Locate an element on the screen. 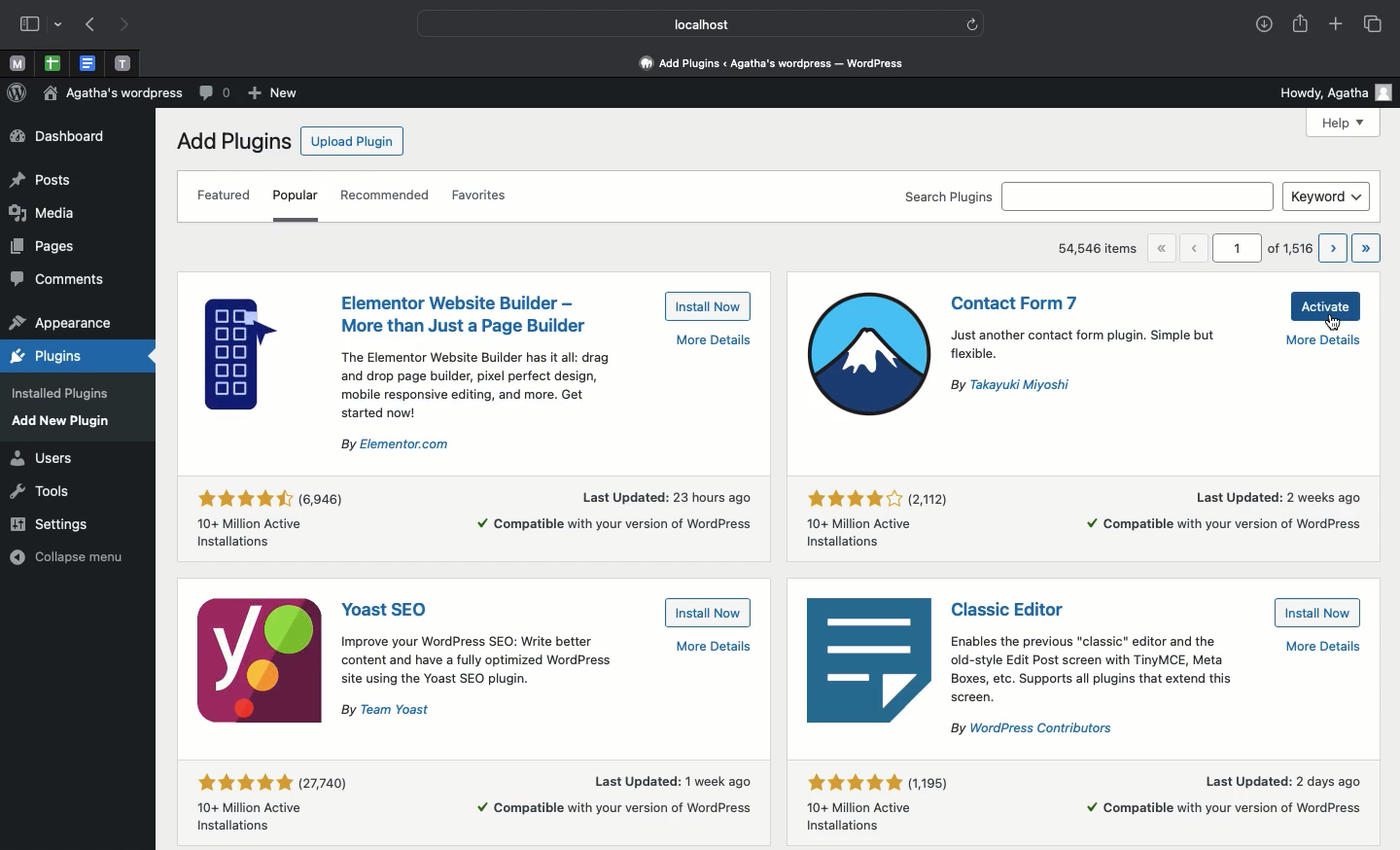 Image resolution: width=1400 pixels, height=850 pixels. Tabs is located at coordinates (1374, 23).